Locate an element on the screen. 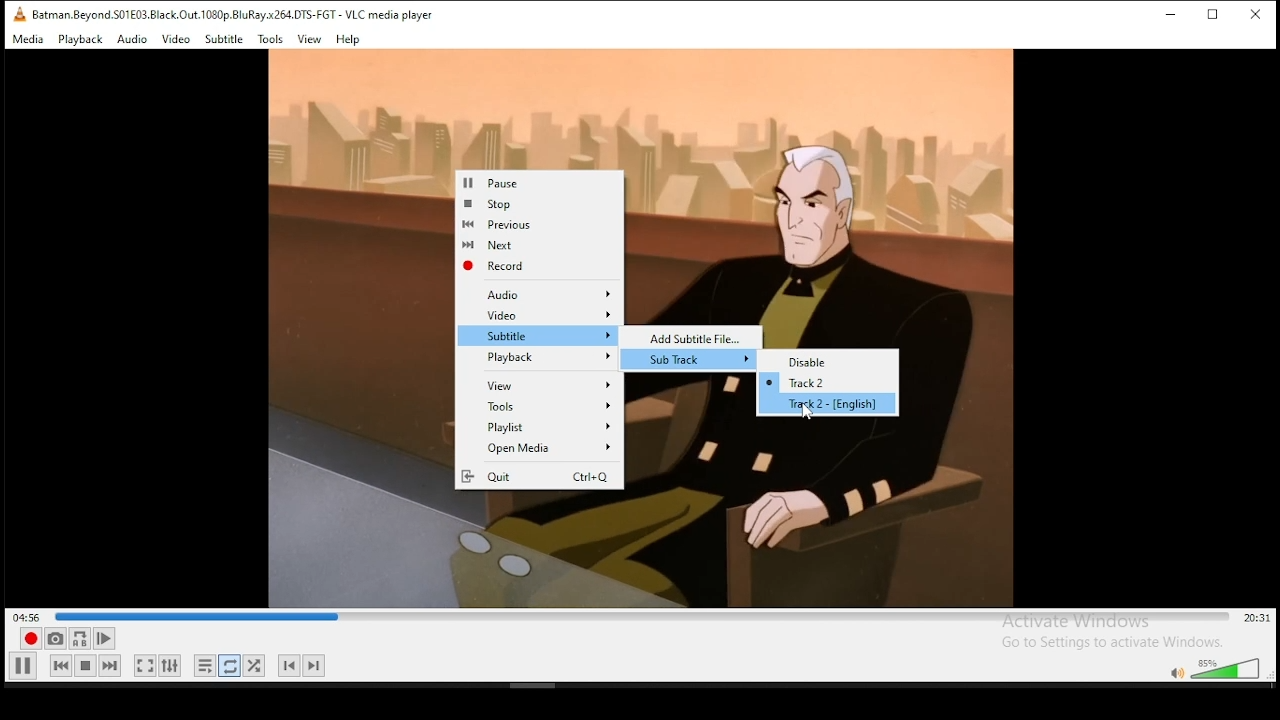  Disable is located at coordinates (838, 362).